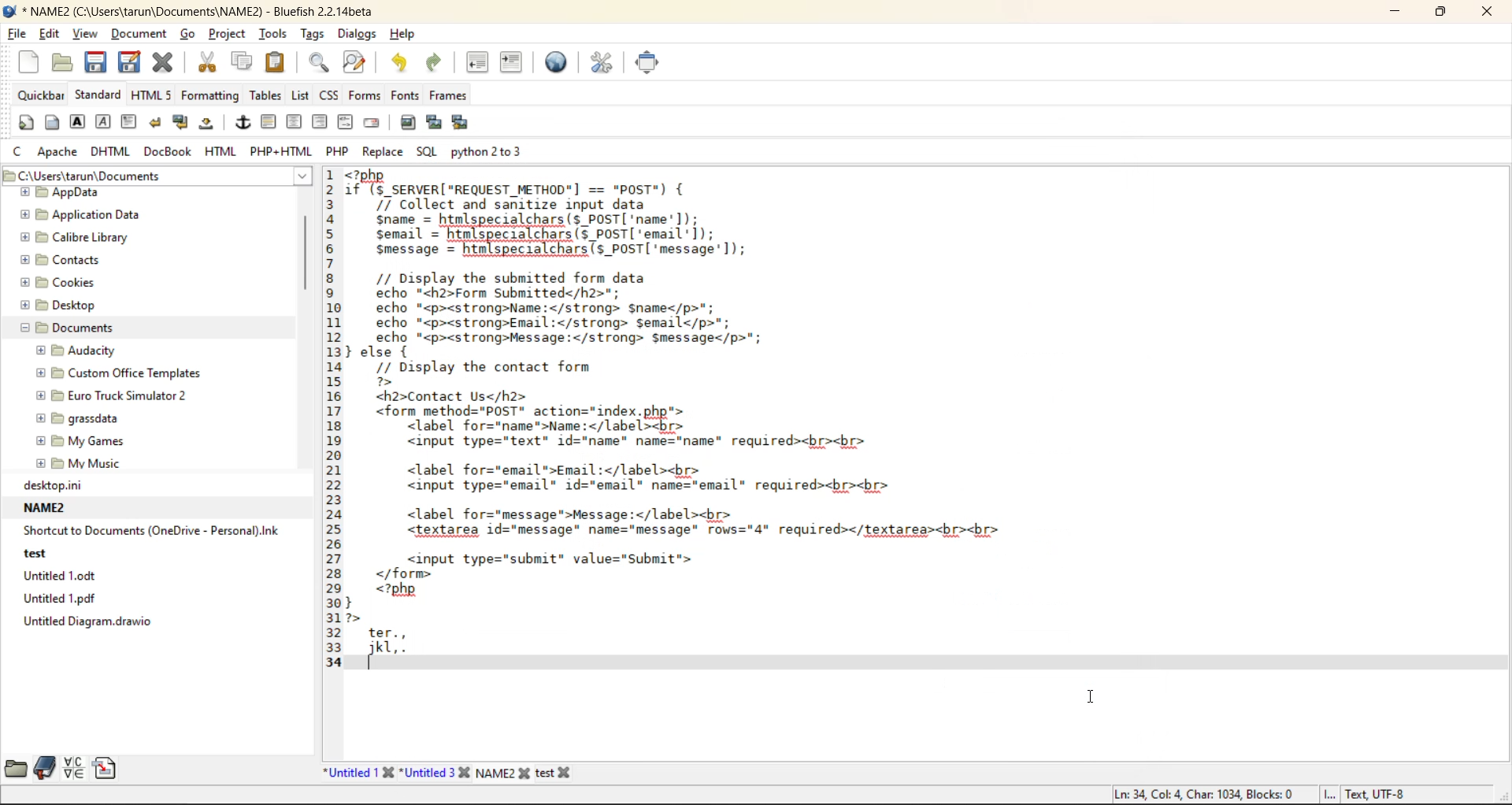 The image size is (1512, 805). I want to click on paragraph, so click(131, 121).